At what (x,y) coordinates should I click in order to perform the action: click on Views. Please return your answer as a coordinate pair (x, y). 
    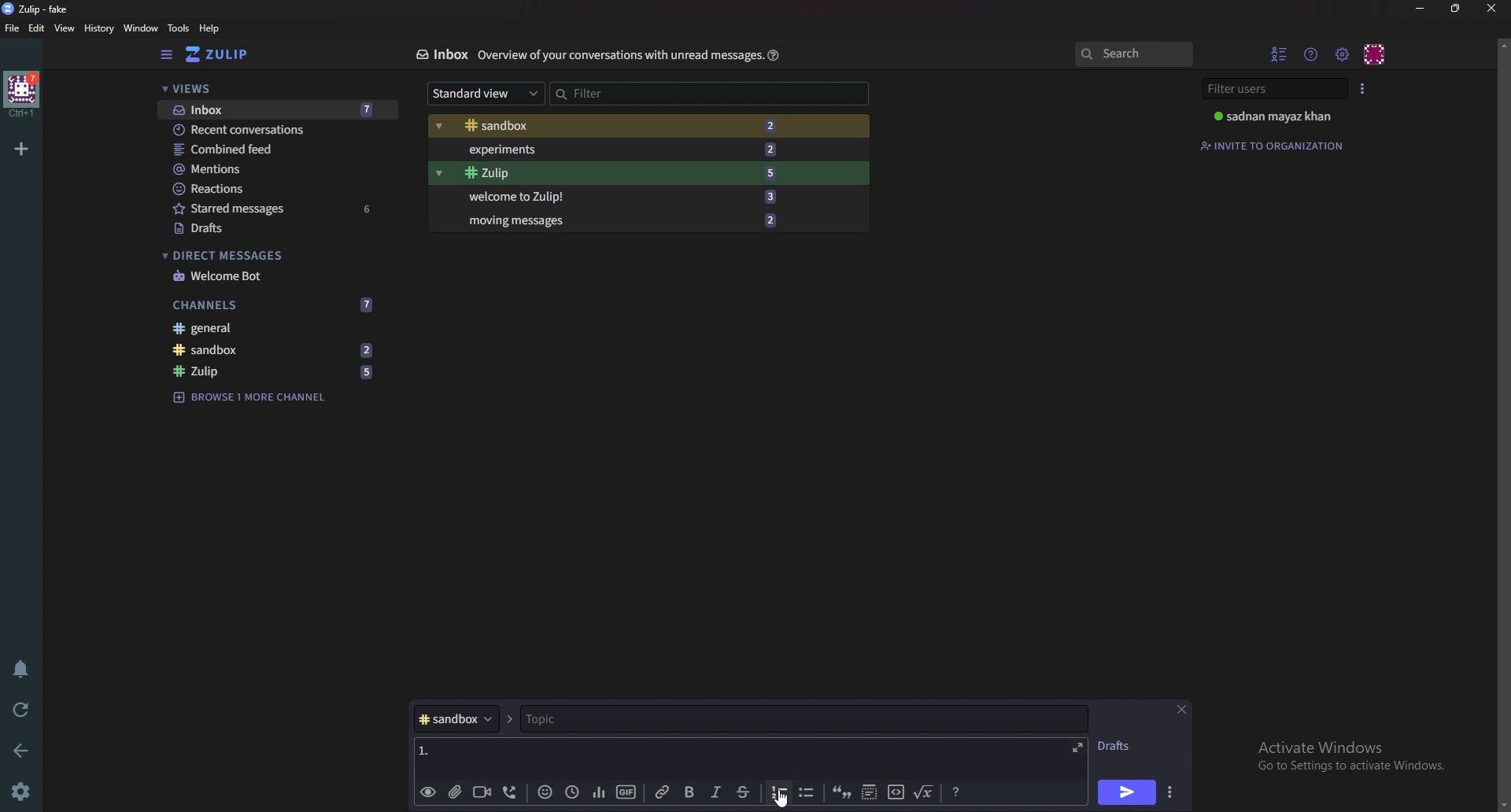
    Looking at the image, I should click on (269, 90).